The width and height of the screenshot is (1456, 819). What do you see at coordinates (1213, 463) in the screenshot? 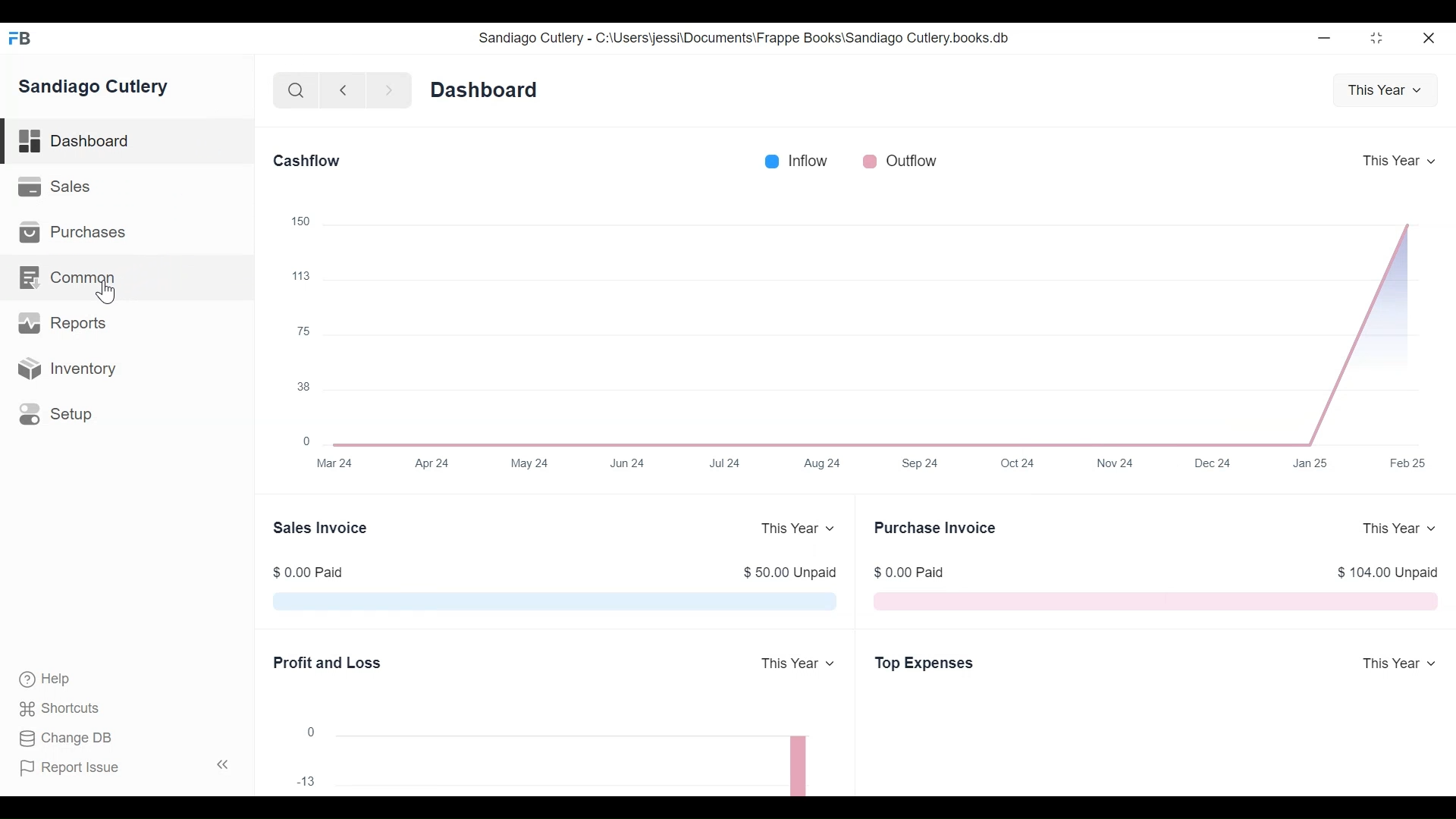
I see `Dec 24` at bounding box center [1213, 463].